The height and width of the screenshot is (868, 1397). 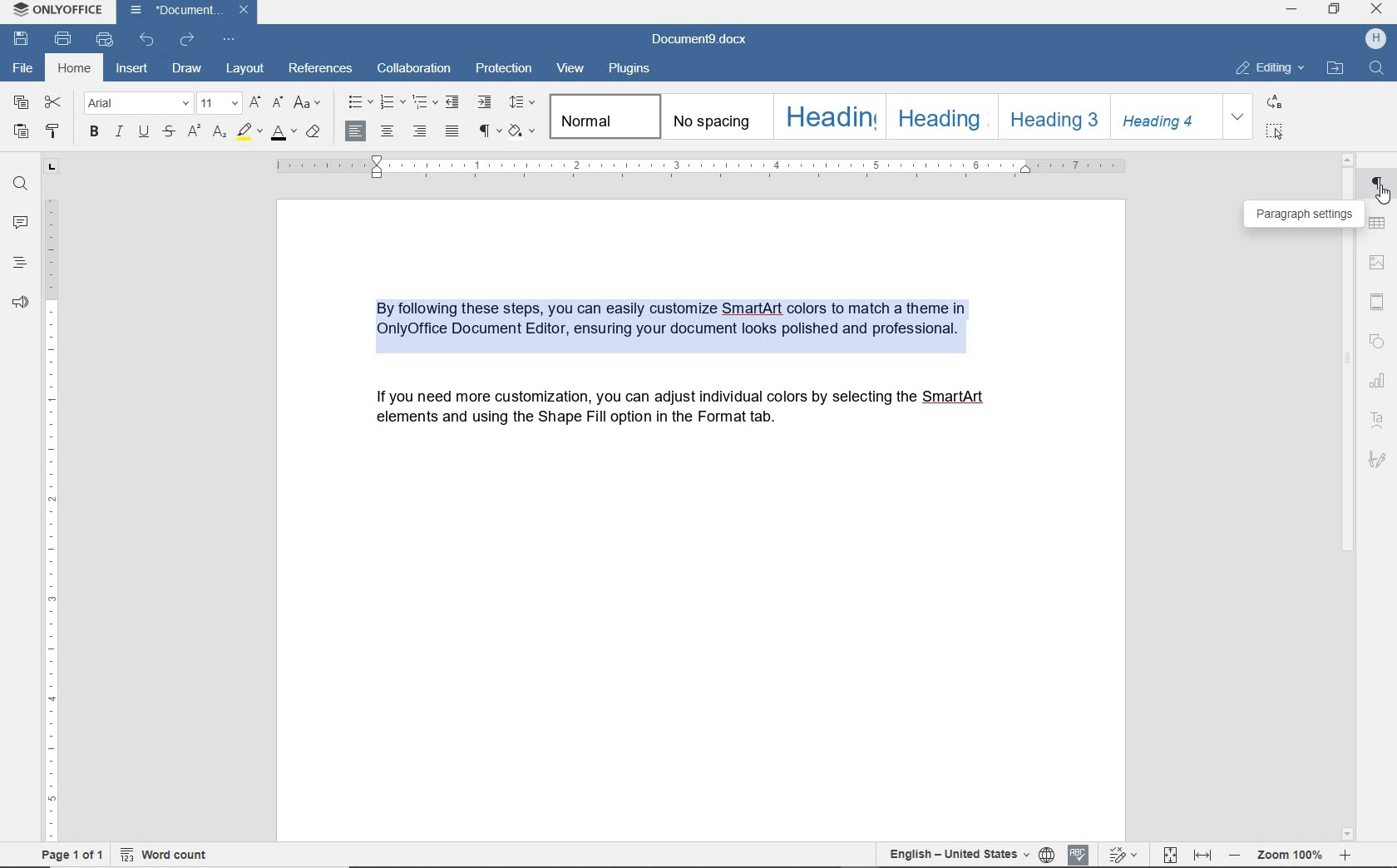 What do you see at coordinates (572, 69) in the screenshot?
I see `view` at bounding box center [572, 69].